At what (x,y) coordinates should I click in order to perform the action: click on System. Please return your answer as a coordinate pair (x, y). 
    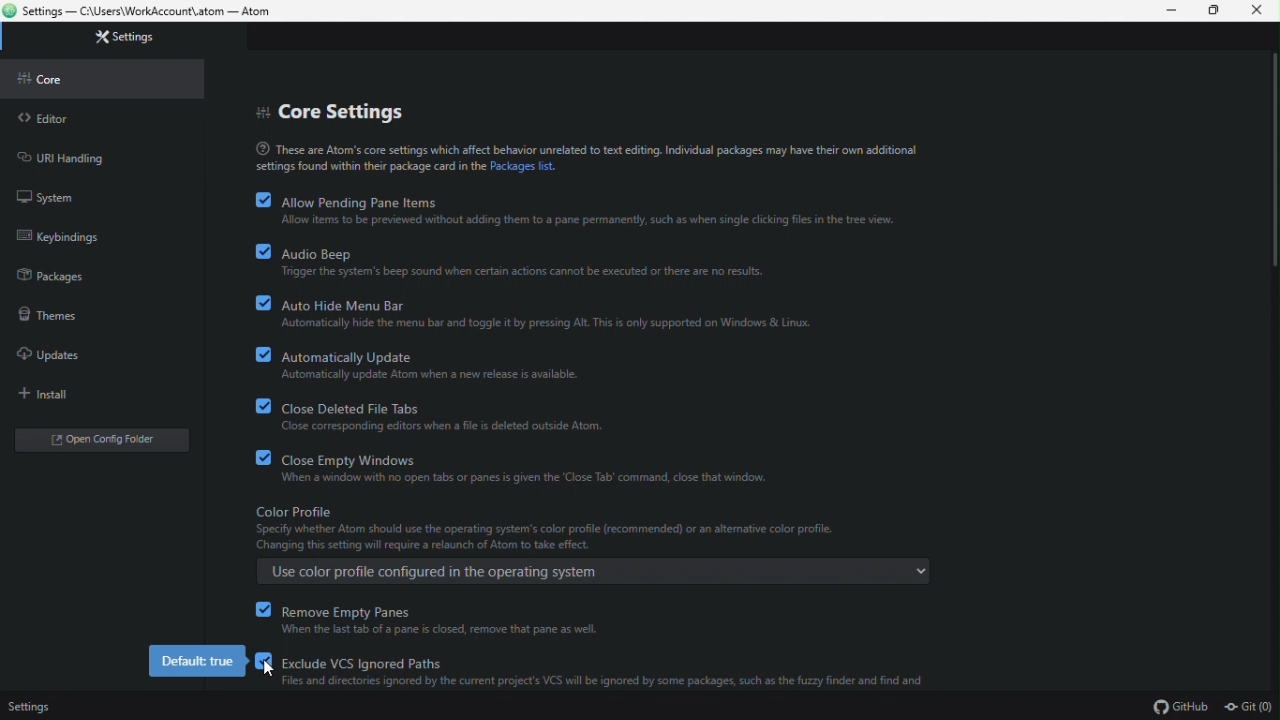
    Looking at the image, I should click on (99, 196).